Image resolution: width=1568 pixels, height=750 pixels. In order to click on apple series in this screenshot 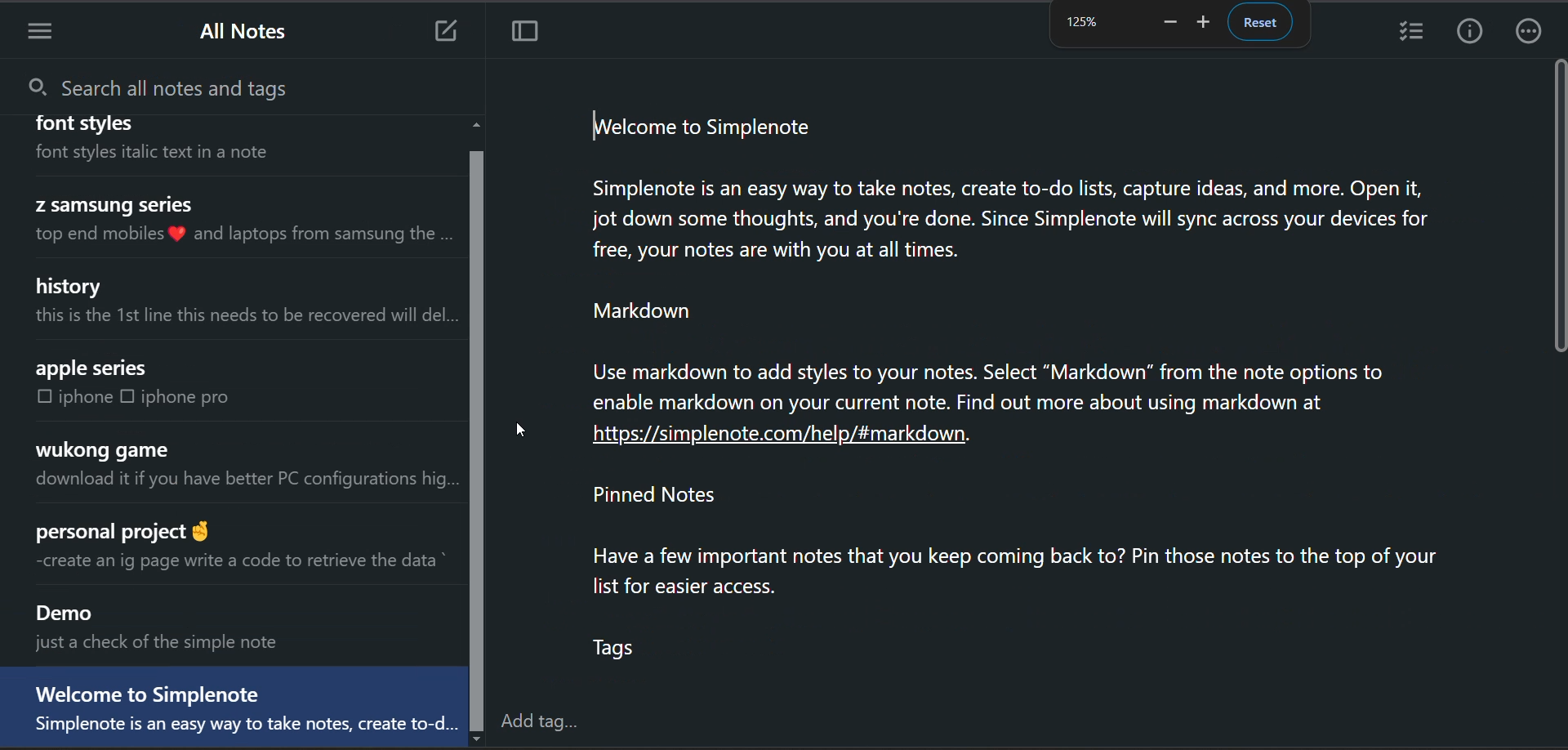, I will do `click(96, 369)`.